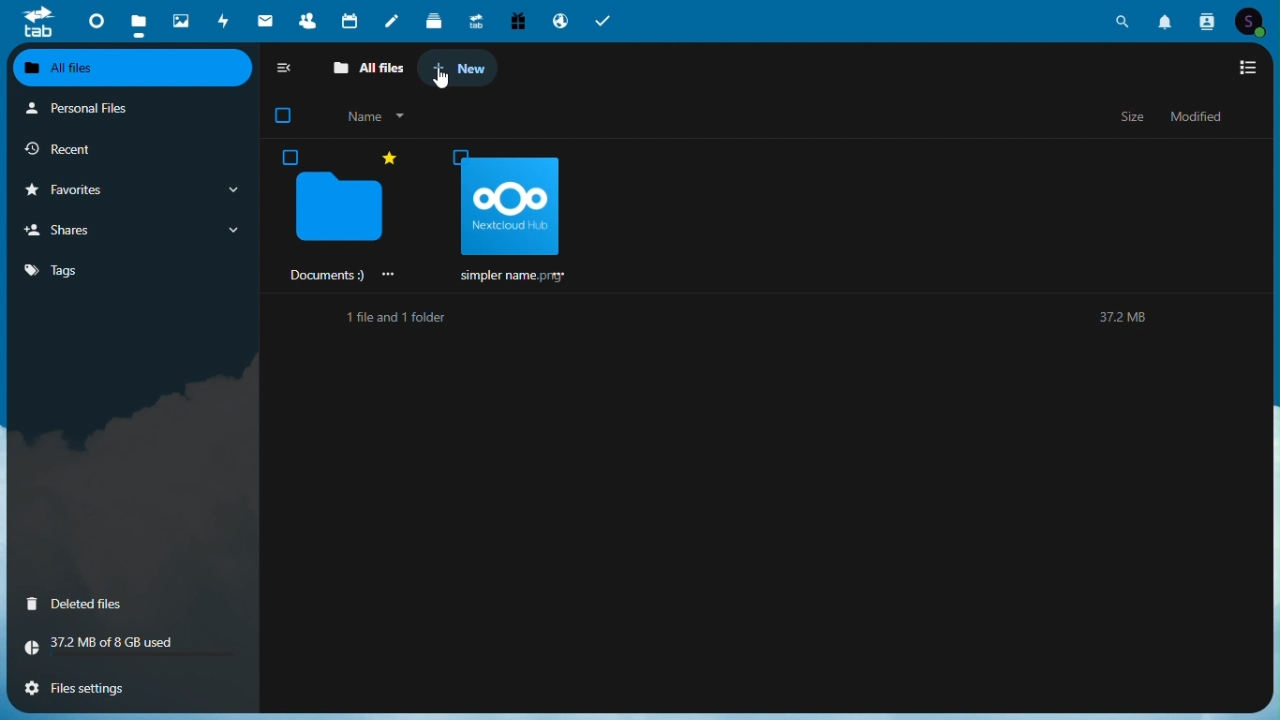 The image size is (1280, 720). What do you see at coordinates (1247, 70) in the screenshot?
I see `Switch to list view` at bounding box center [1247, 70].